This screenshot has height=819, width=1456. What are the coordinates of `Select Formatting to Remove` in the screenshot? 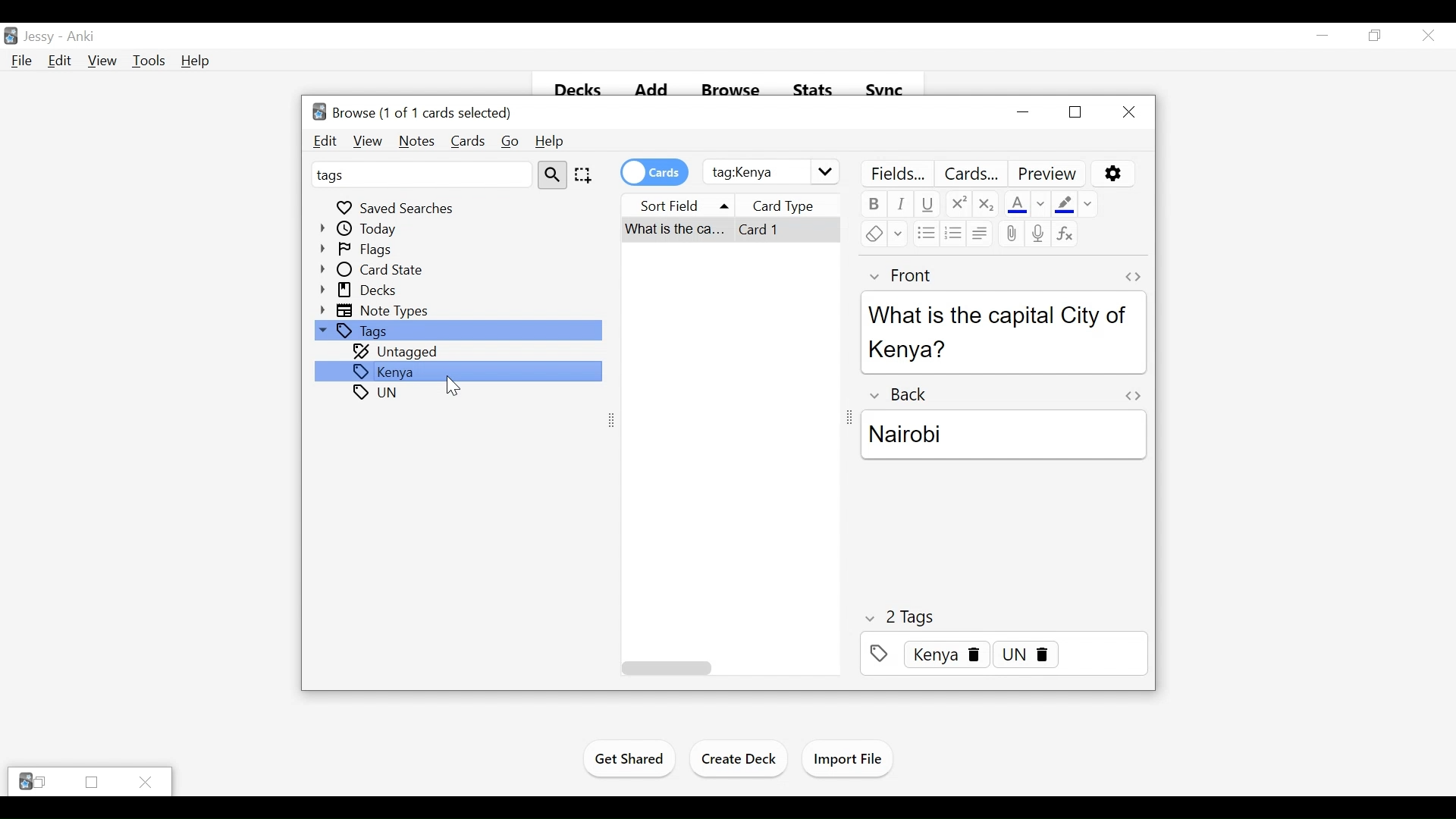 It's located at (1089, 202).